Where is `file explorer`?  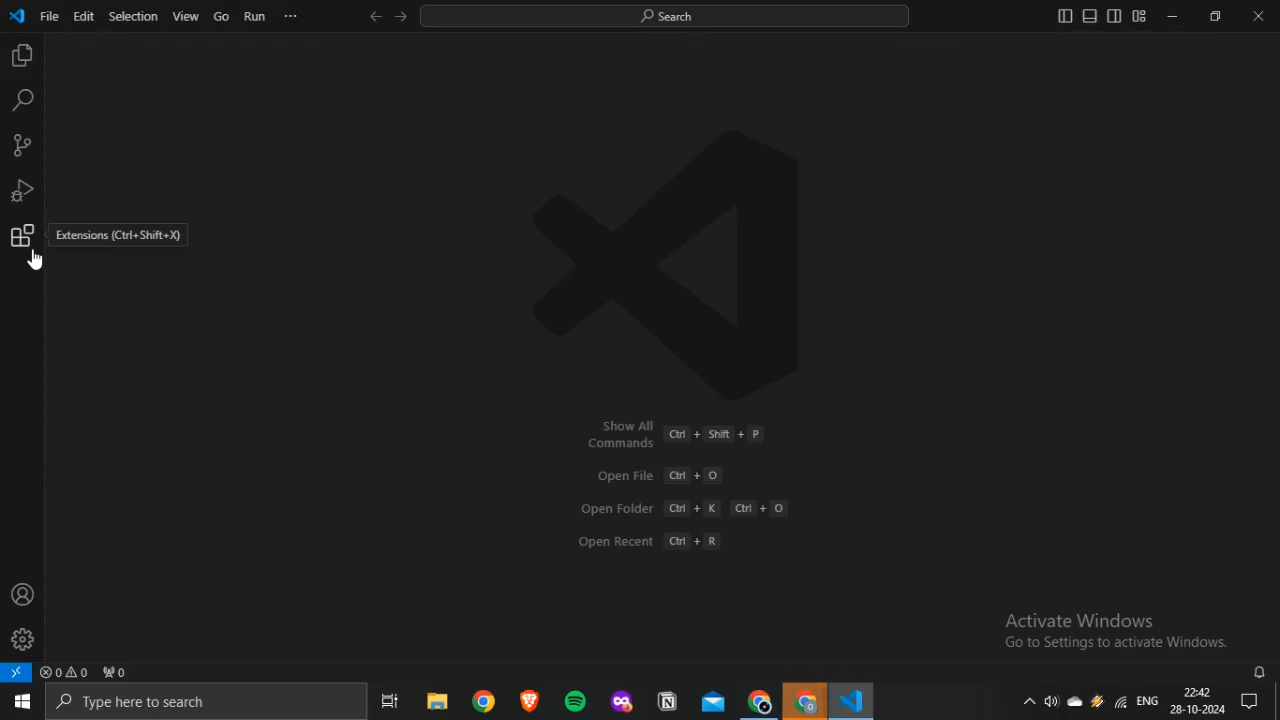
file explorer is located at coordinates (438, 700).